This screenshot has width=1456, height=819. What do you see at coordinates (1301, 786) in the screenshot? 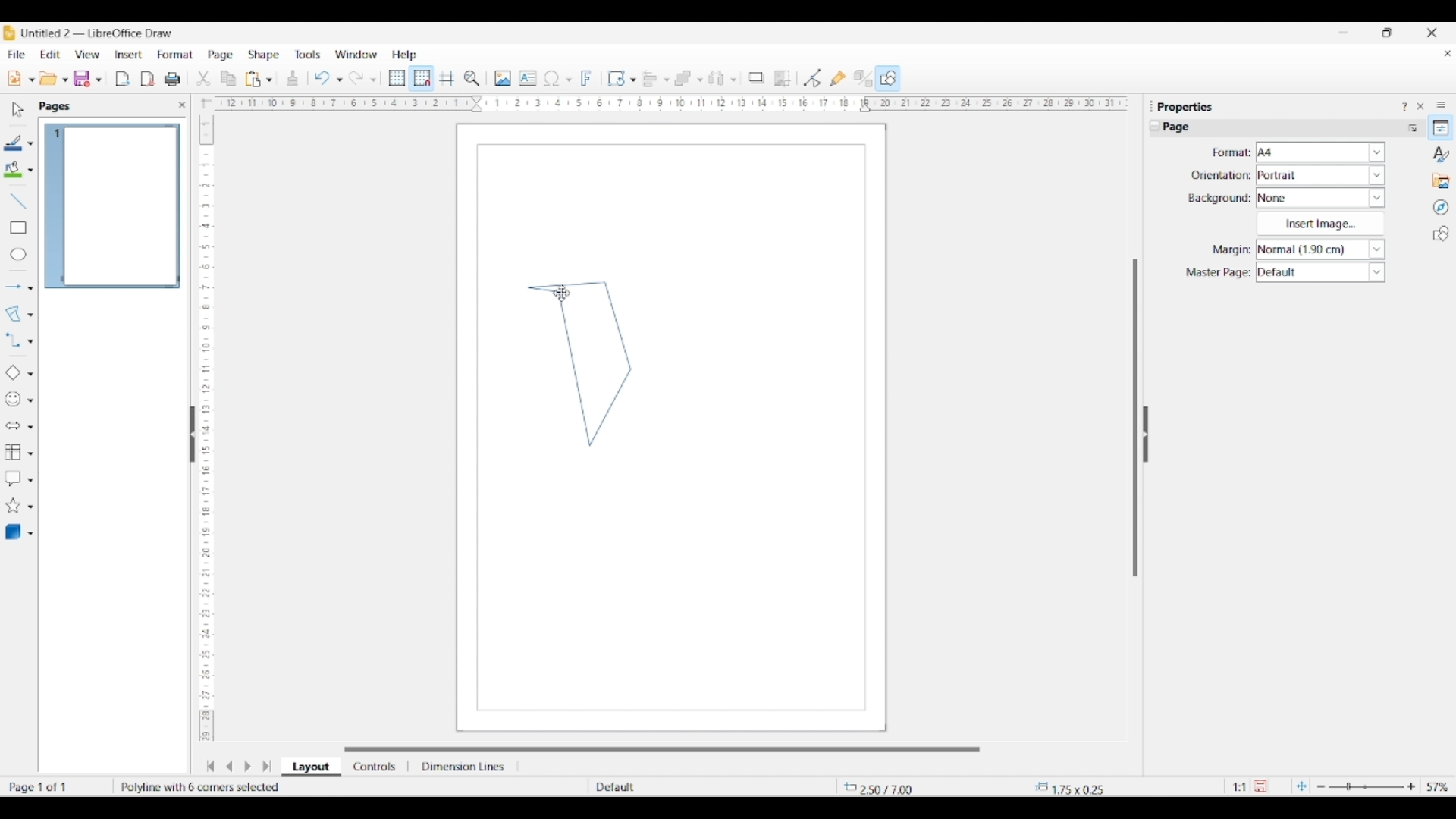
I see `Fit page to current window` at bounding box center [1301, 786].